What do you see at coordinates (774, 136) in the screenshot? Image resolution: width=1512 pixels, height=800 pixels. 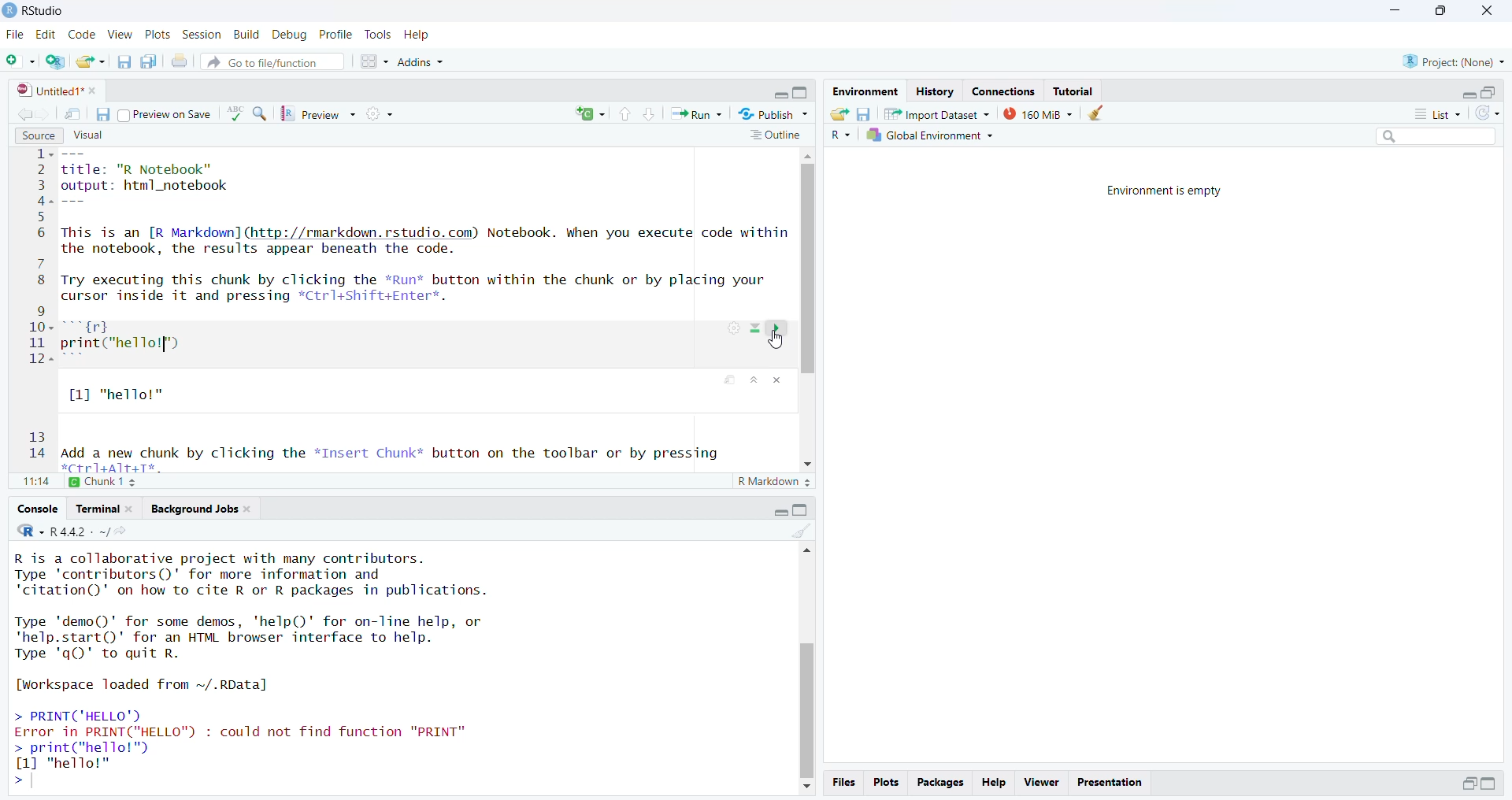 I see `outline` at bounding box center [774, 136].